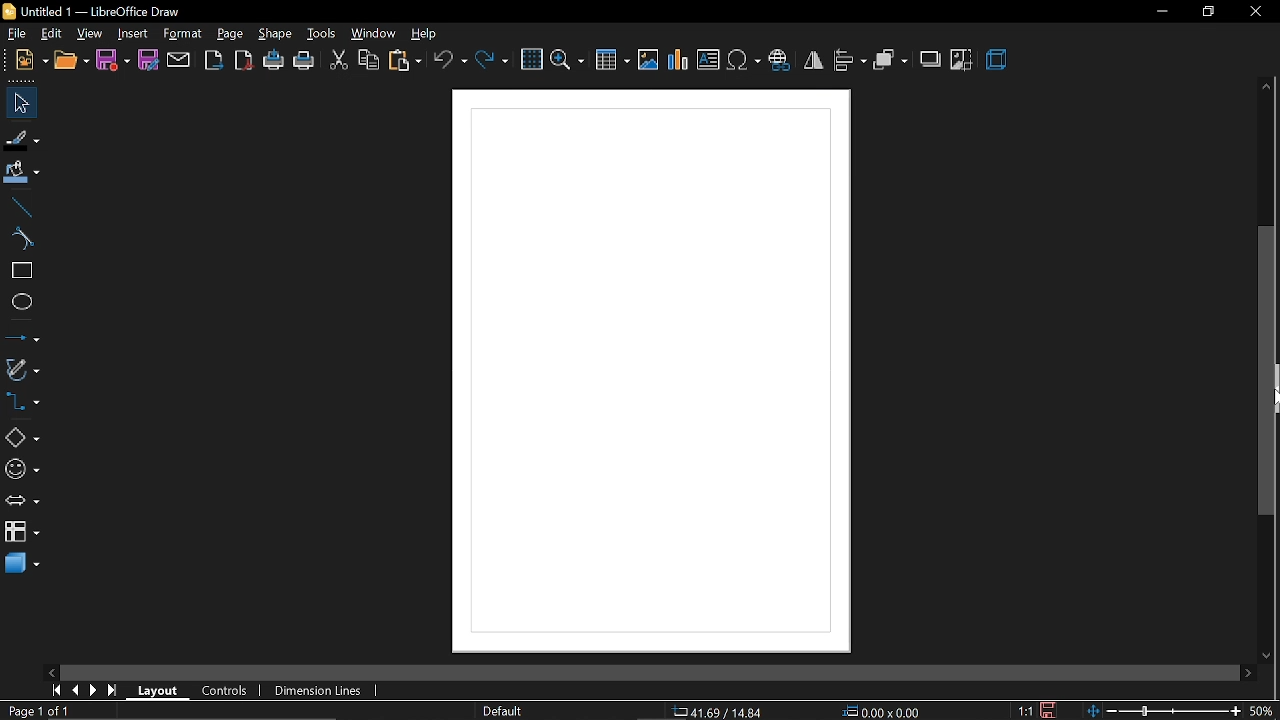  What do you see at coordinates (40, 712) in the screenshot?
I see `current page` at bounding box center [40, 712].